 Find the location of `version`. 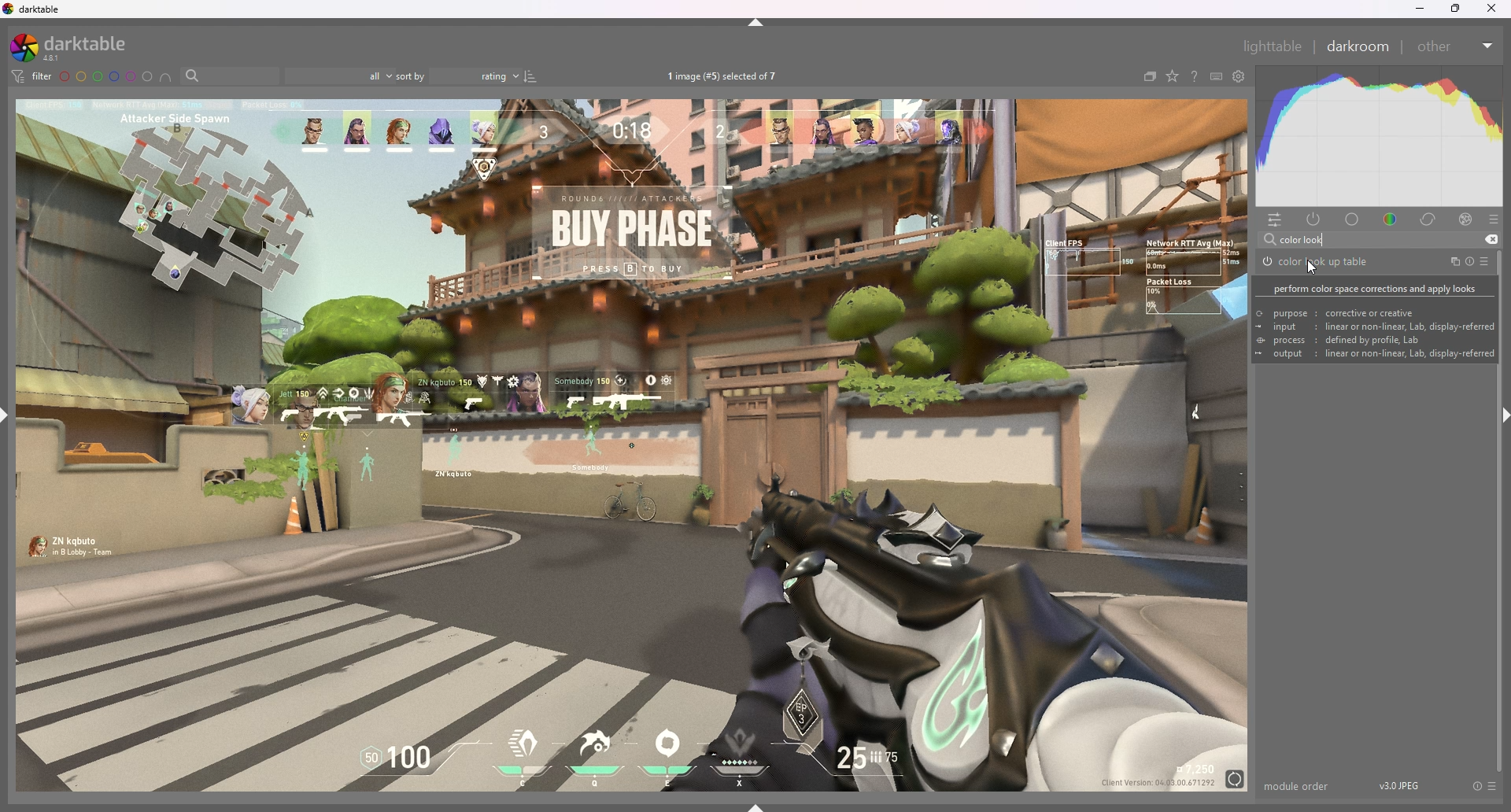

version is located at coordinates (1399, 785).